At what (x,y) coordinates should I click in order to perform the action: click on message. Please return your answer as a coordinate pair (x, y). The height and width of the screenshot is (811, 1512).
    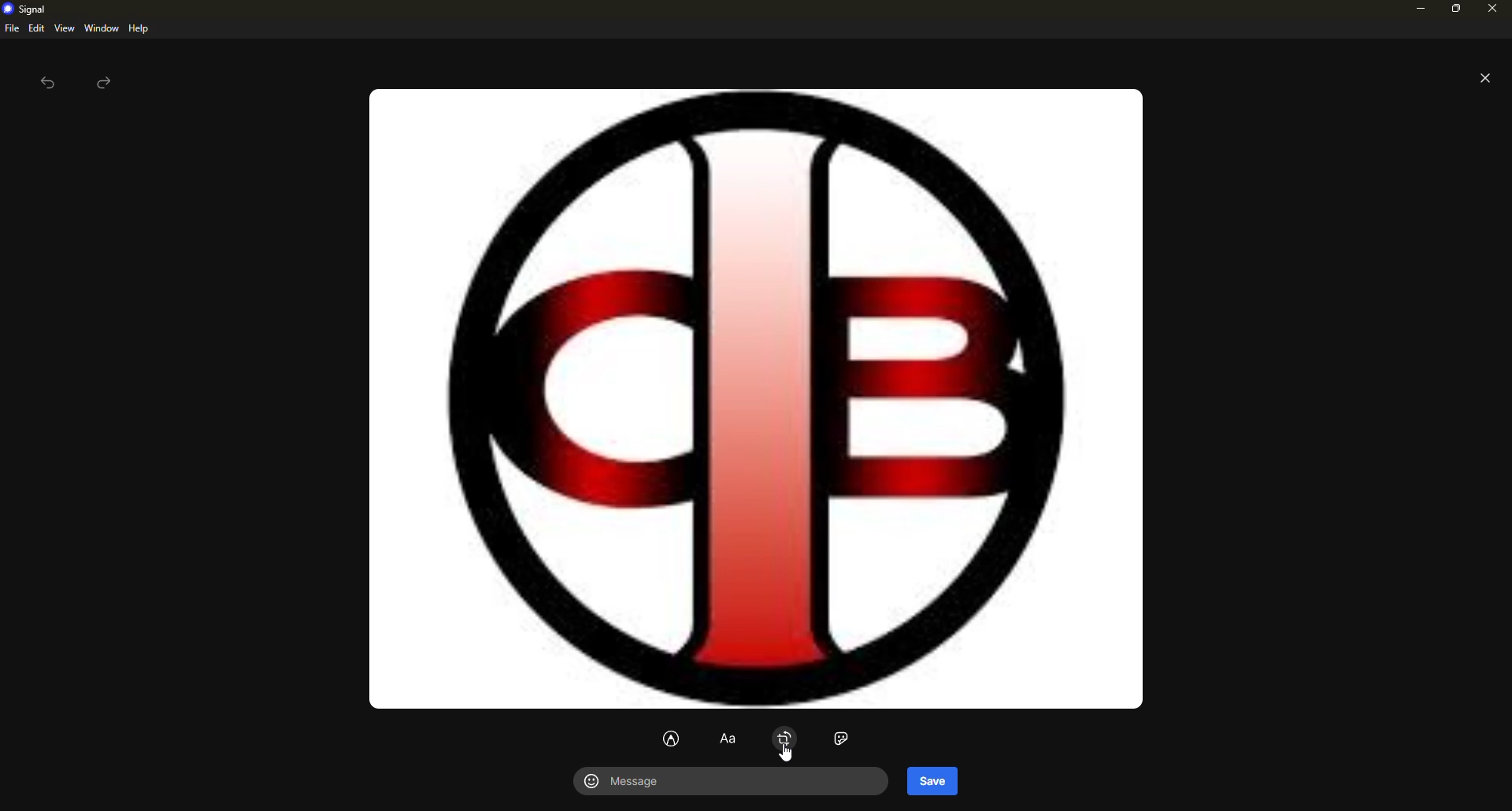
    Looking at the image, I should click on (630, 781).